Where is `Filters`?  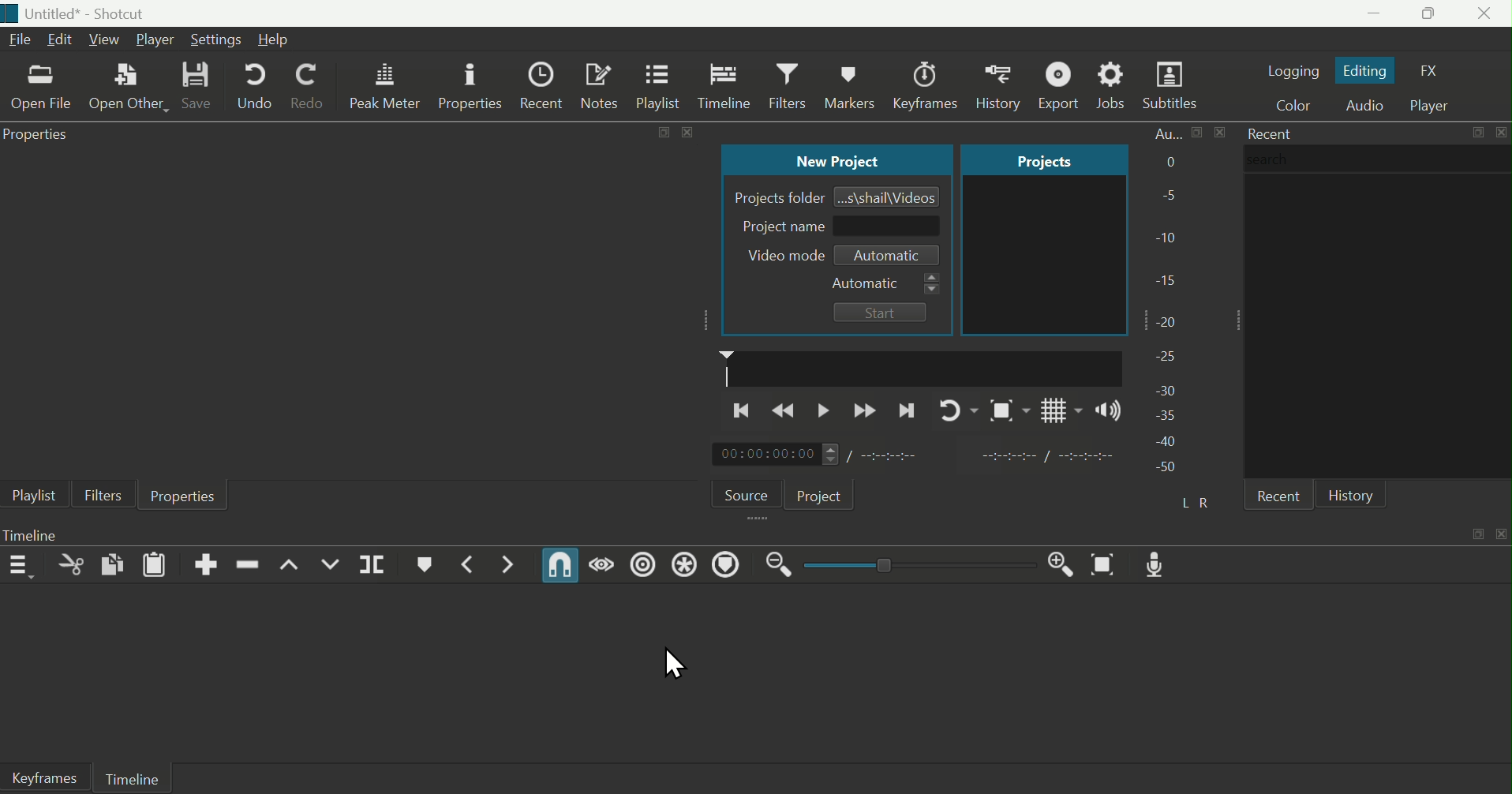
Filters is located at coordinates (789, 87).